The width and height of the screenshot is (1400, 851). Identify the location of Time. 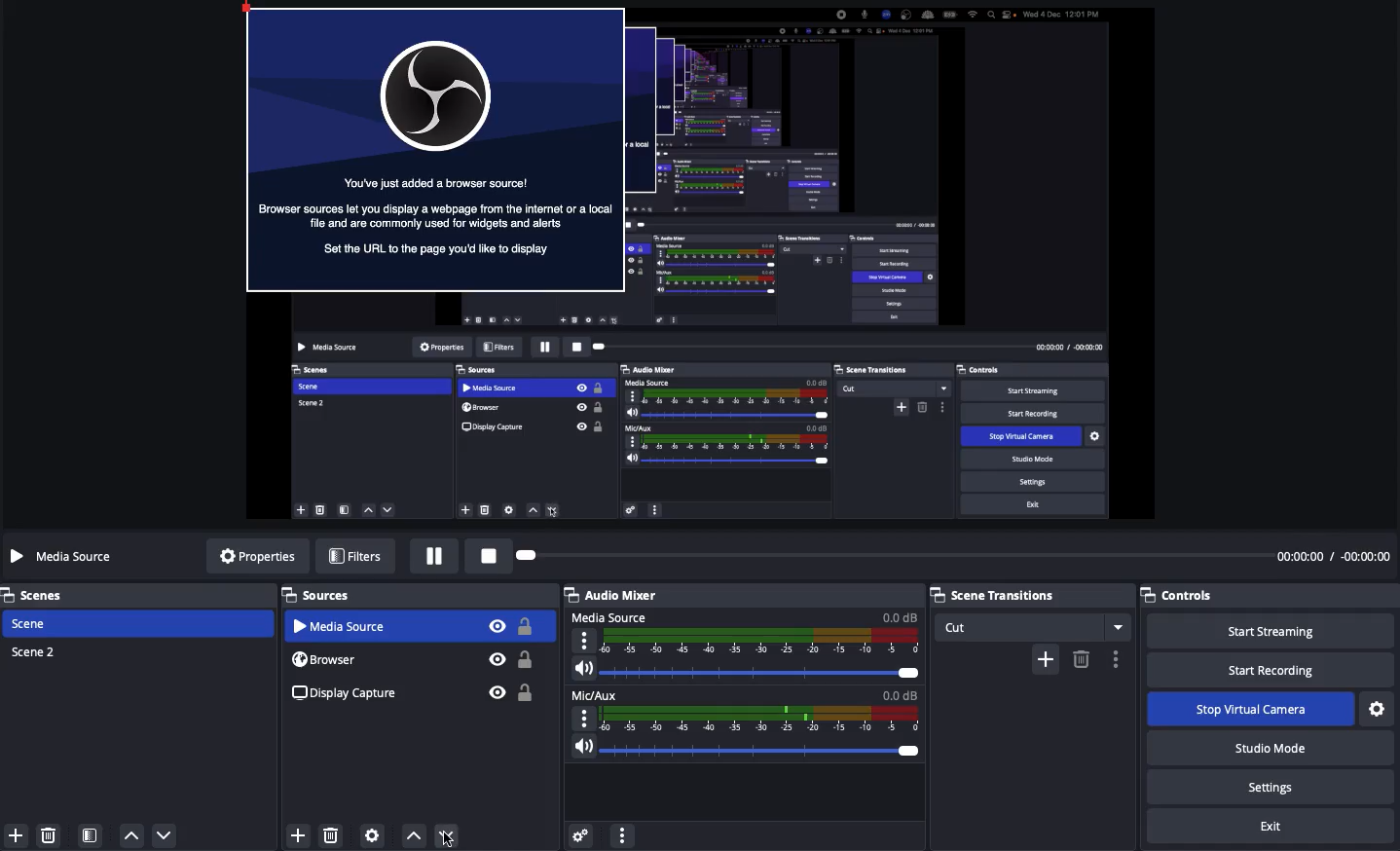
(1332, 556).